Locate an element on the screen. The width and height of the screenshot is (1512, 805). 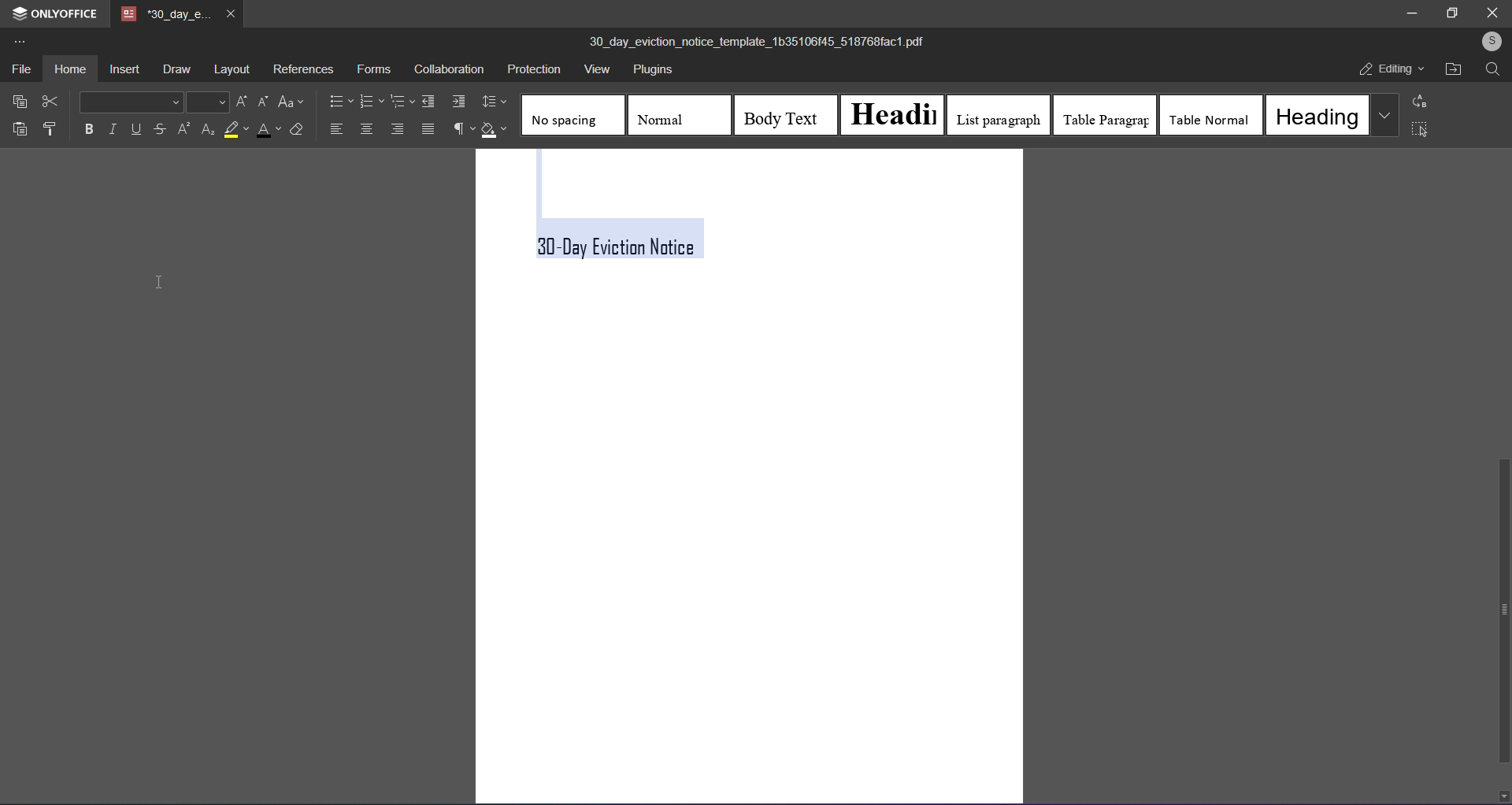
heading is located at coordinates (1316, 115).